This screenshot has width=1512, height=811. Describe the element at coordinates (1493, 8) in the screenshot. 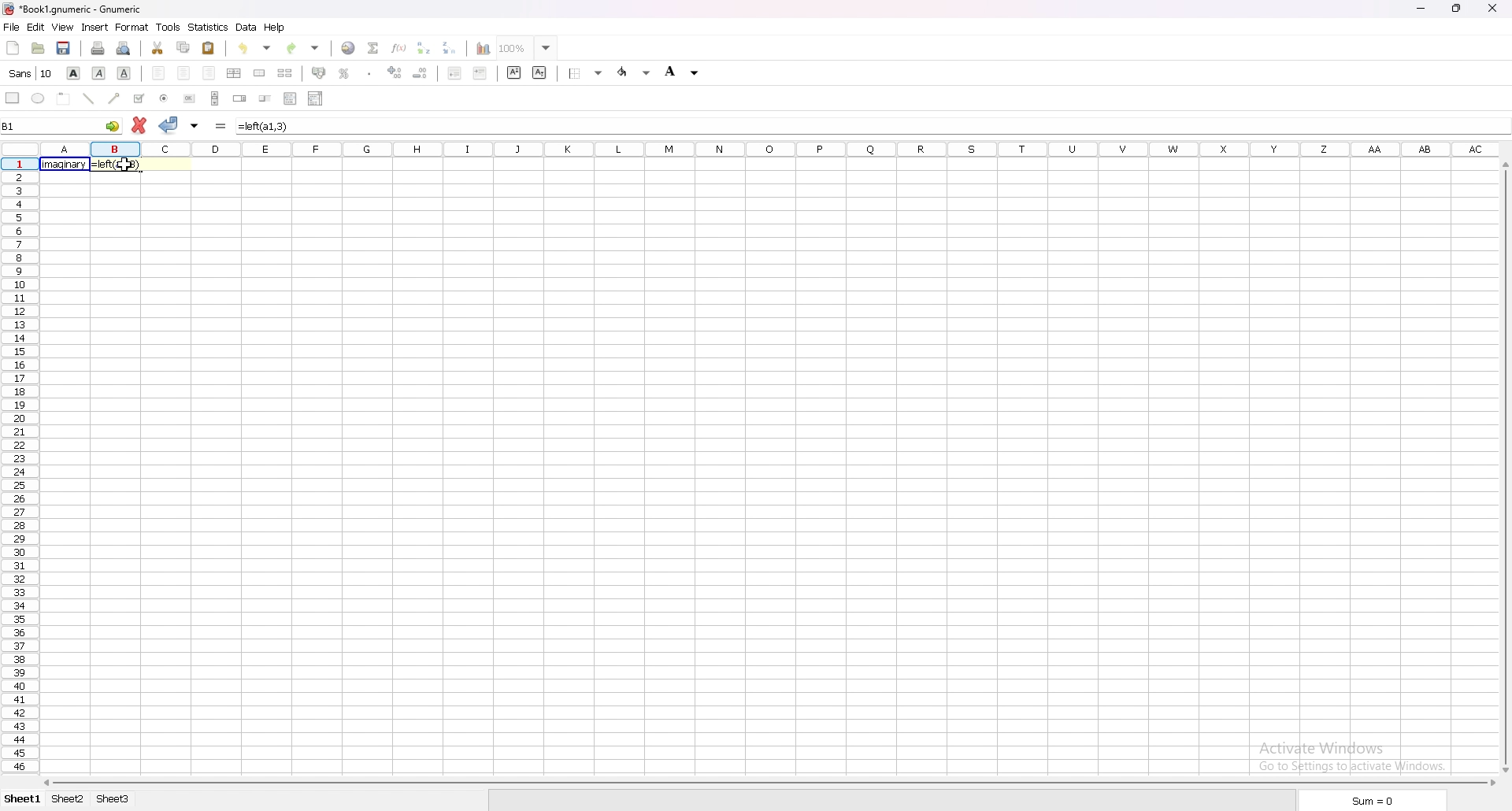

I see `close` at that location.